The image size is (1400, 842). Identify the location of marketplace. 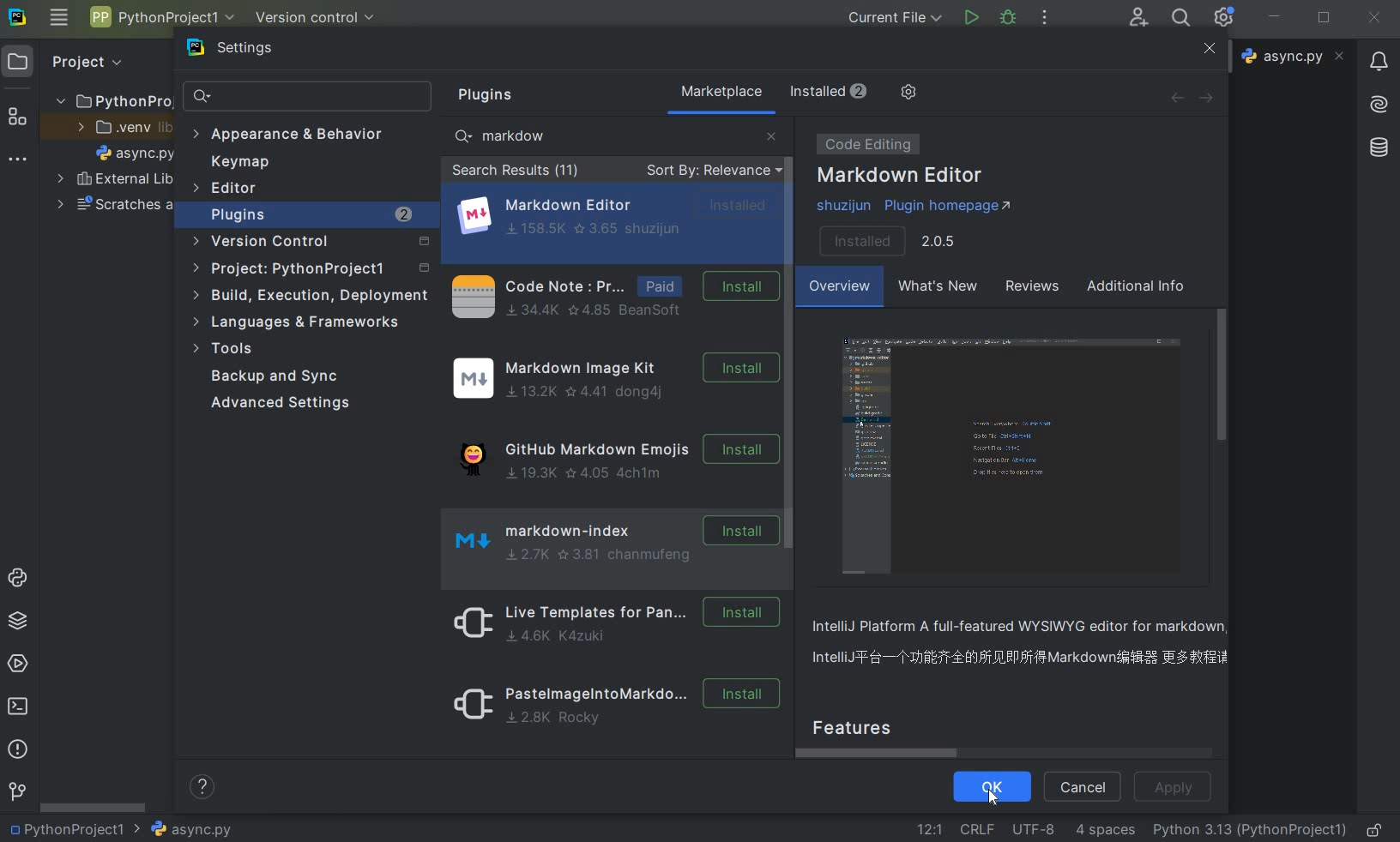
(722, 92).